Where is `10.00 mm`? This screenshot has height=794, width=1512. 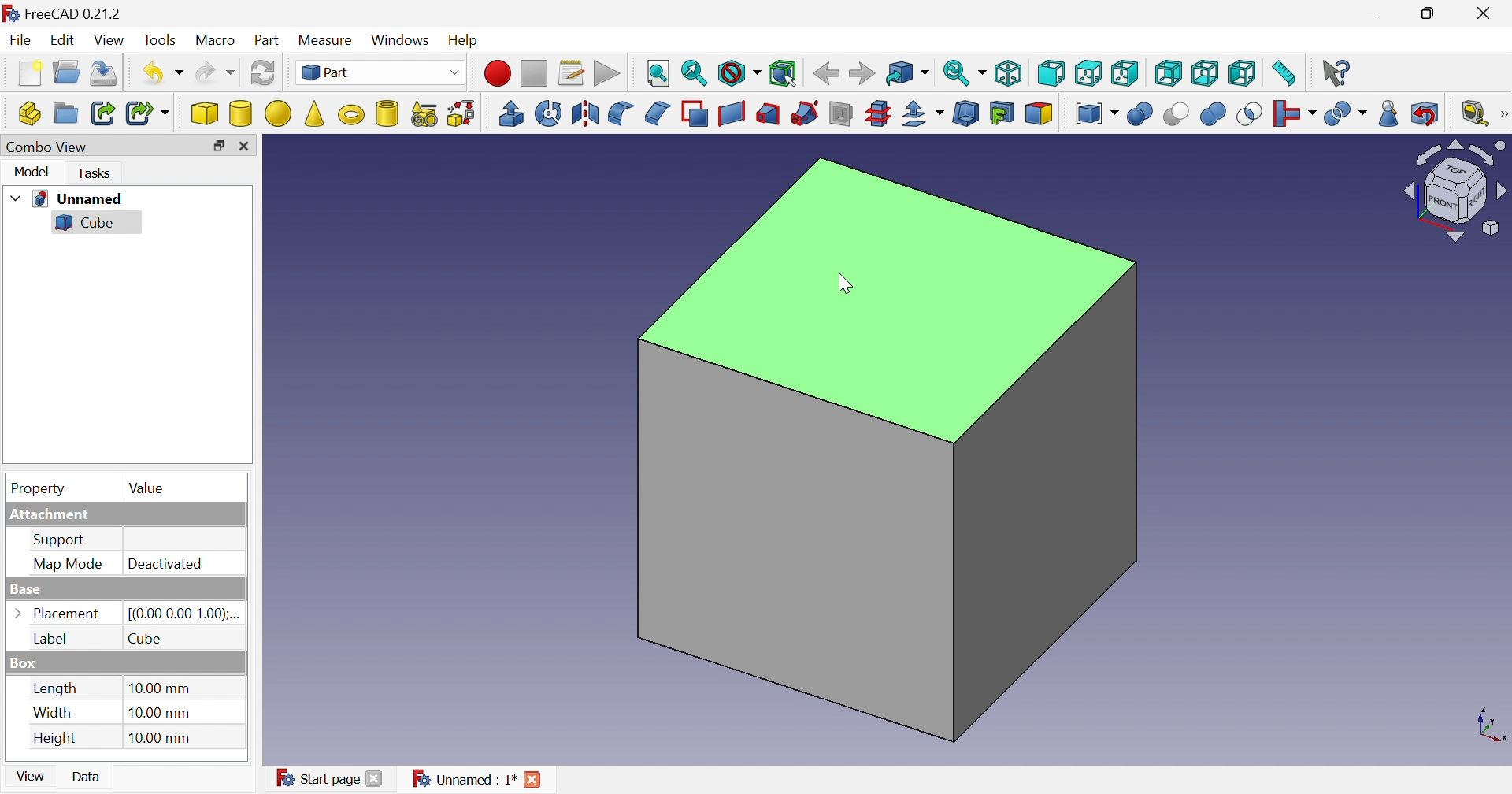 10.00 mm is located at coordinates (165, 690).